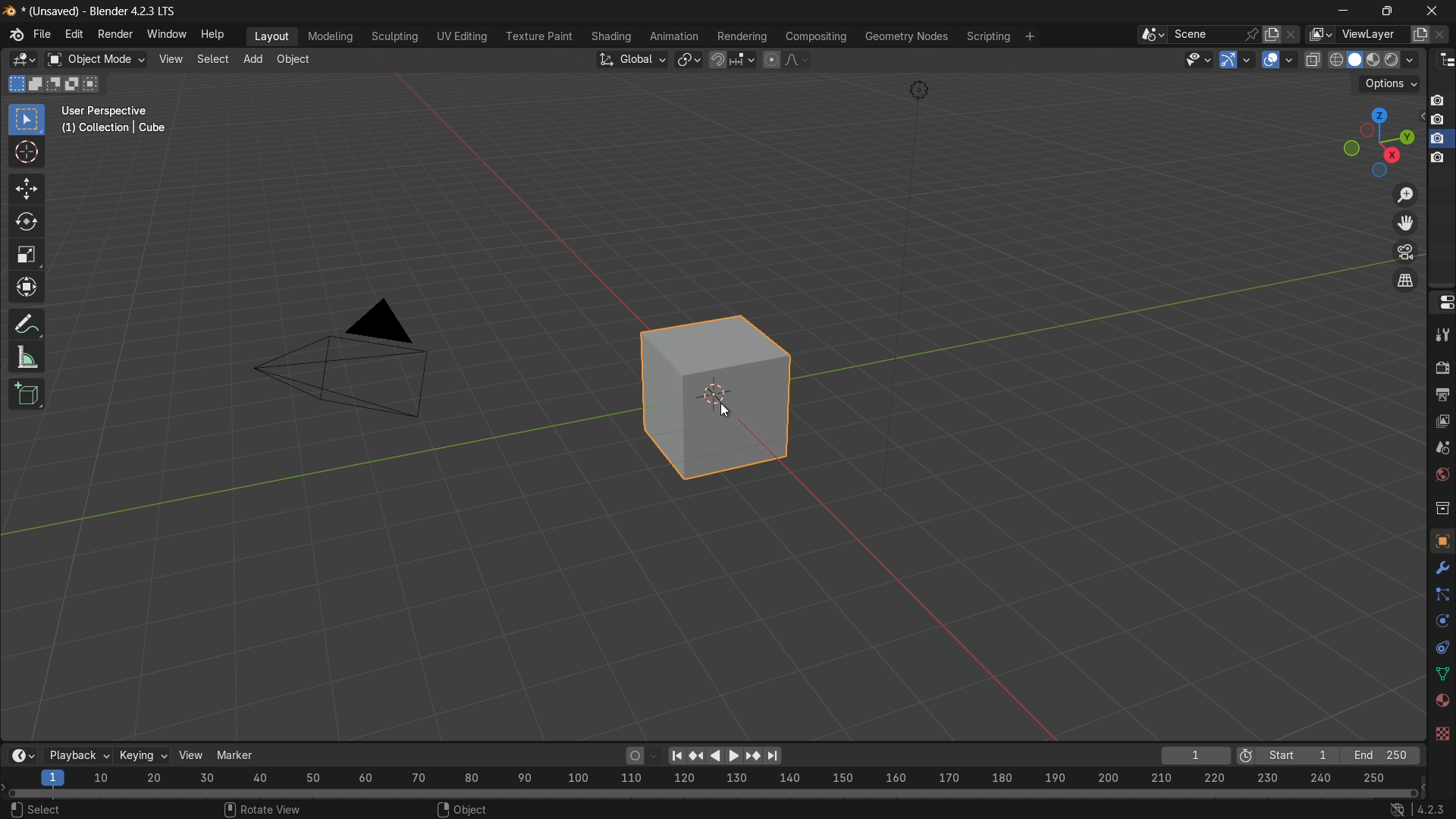  What do you see at coordinates (33, 808) in the screenshot?
I see `Select` at bounding box center [33, 808].